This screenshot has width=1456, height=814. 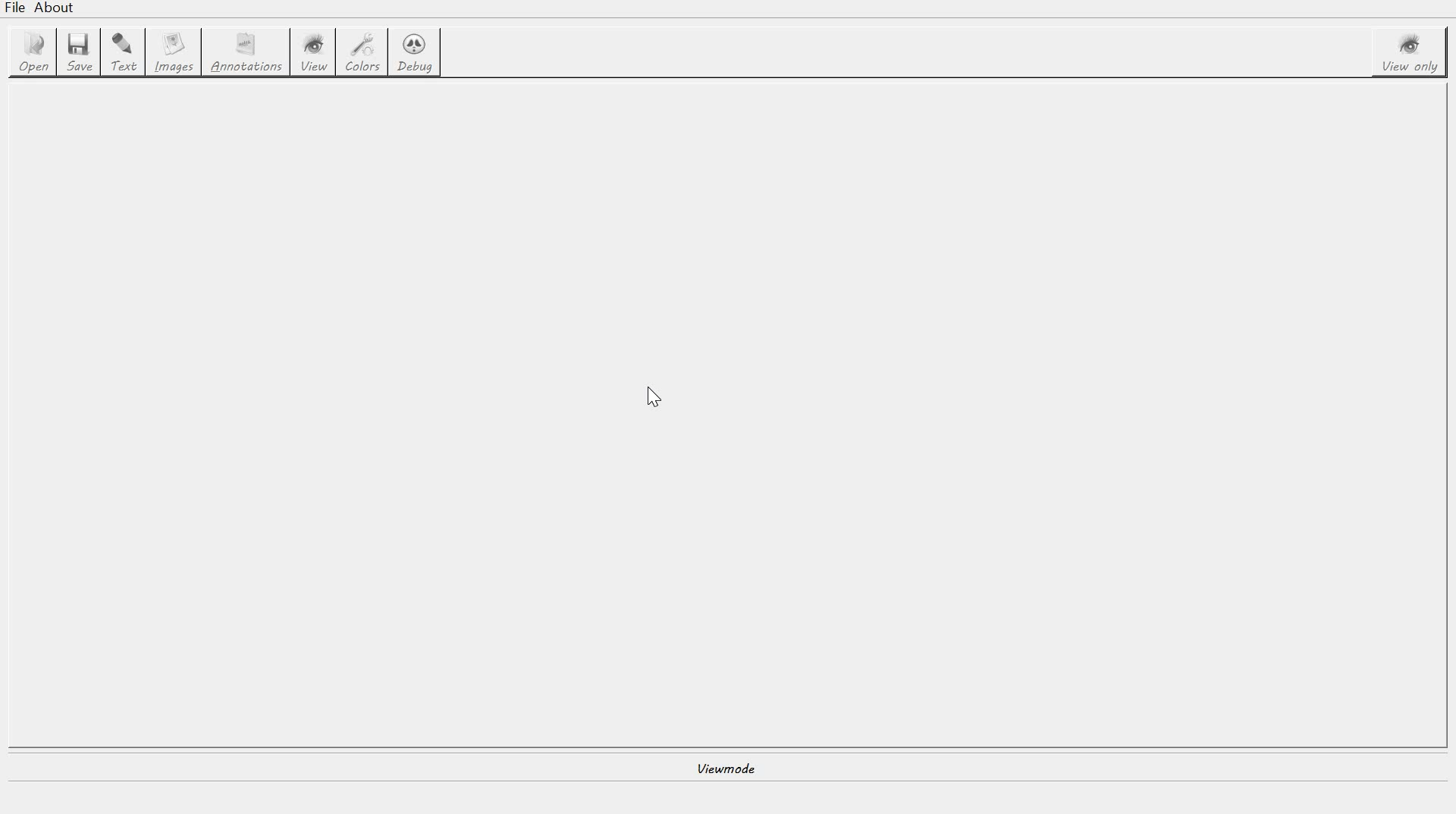 I want to click on view only, so click(x=1414, y=53).